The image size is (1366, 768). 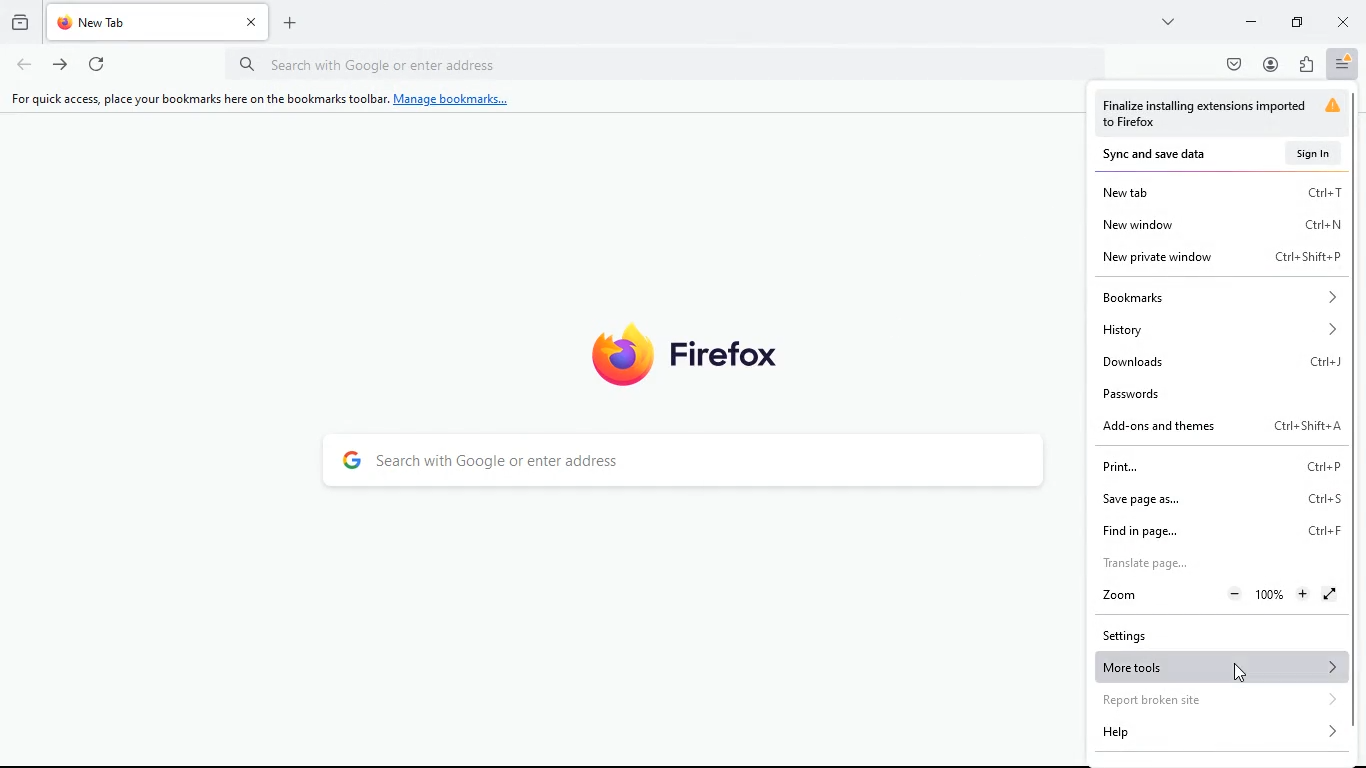 I want to click on menu, so click(x=1344, y=64).